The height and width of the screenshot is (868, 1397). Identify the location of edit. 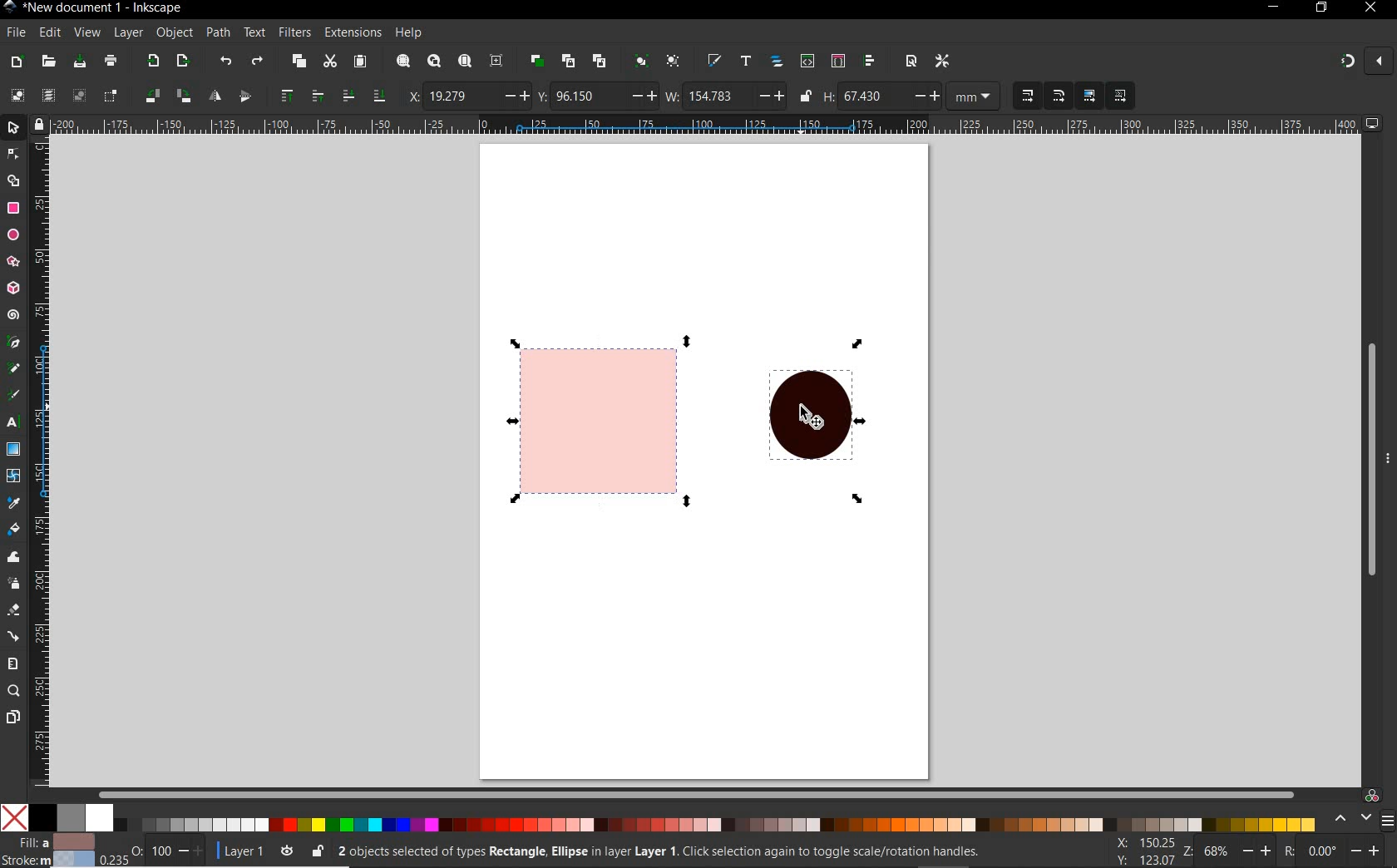
(50, 33).